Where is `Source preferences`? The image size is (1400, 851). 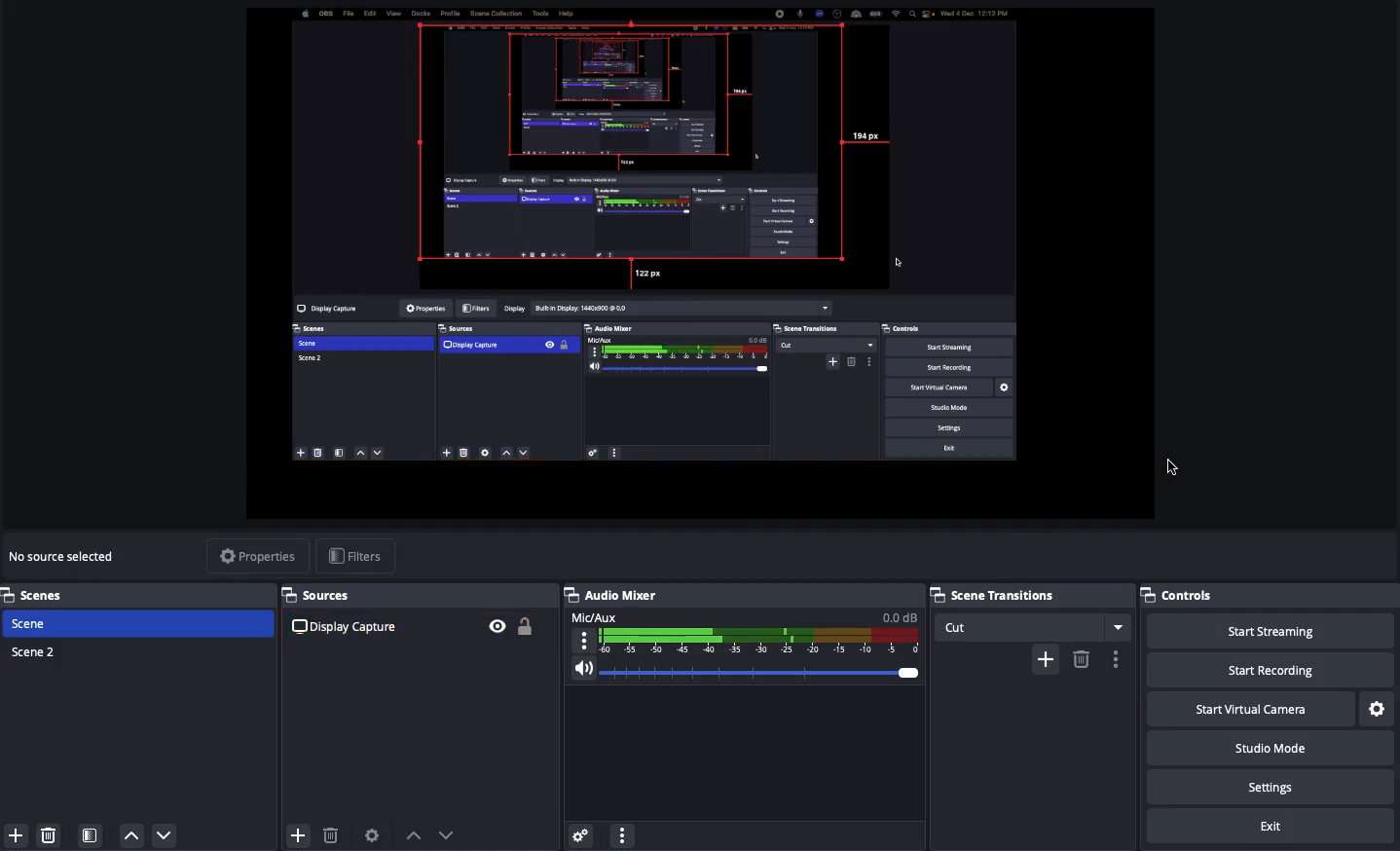
Source preferences is located at coordinates (375, 835).